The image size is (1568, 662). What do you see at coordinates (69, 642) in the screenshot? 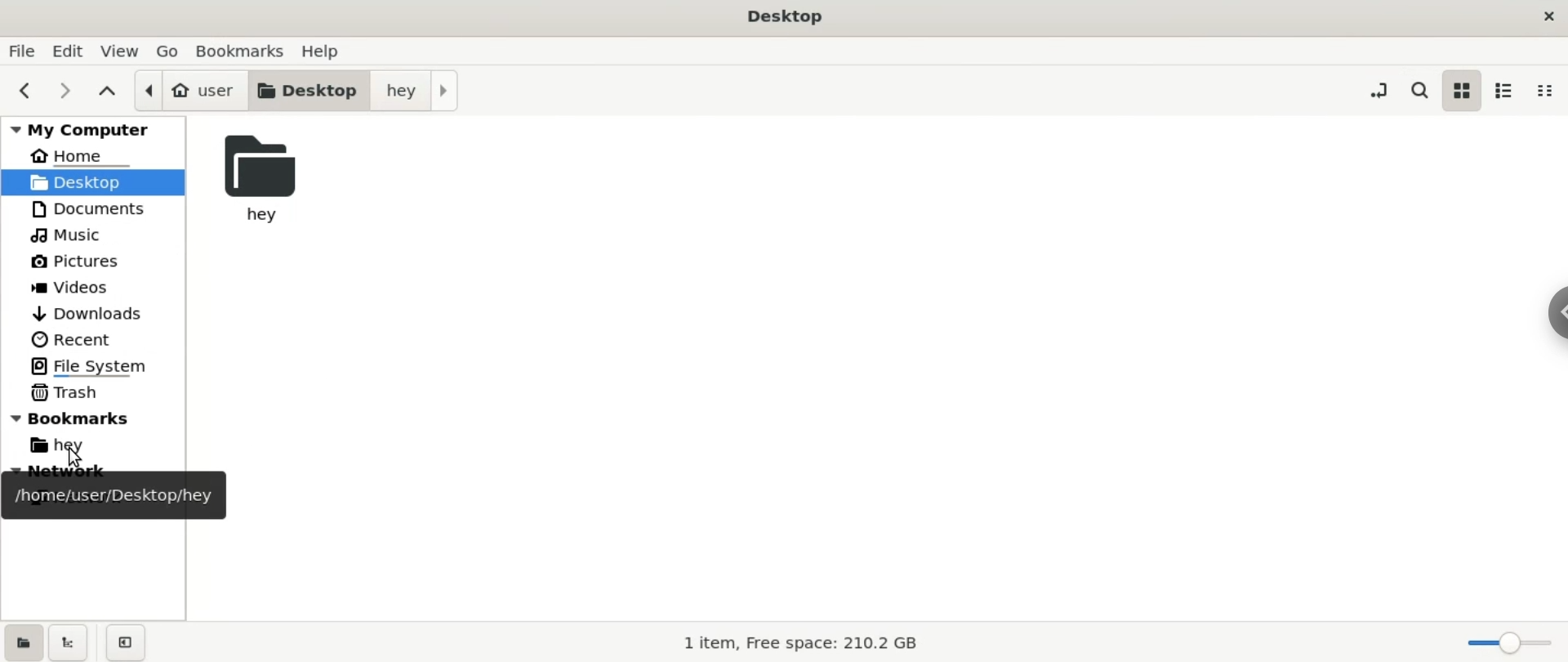
I see `show treeview` at bounding box center [69, 642].